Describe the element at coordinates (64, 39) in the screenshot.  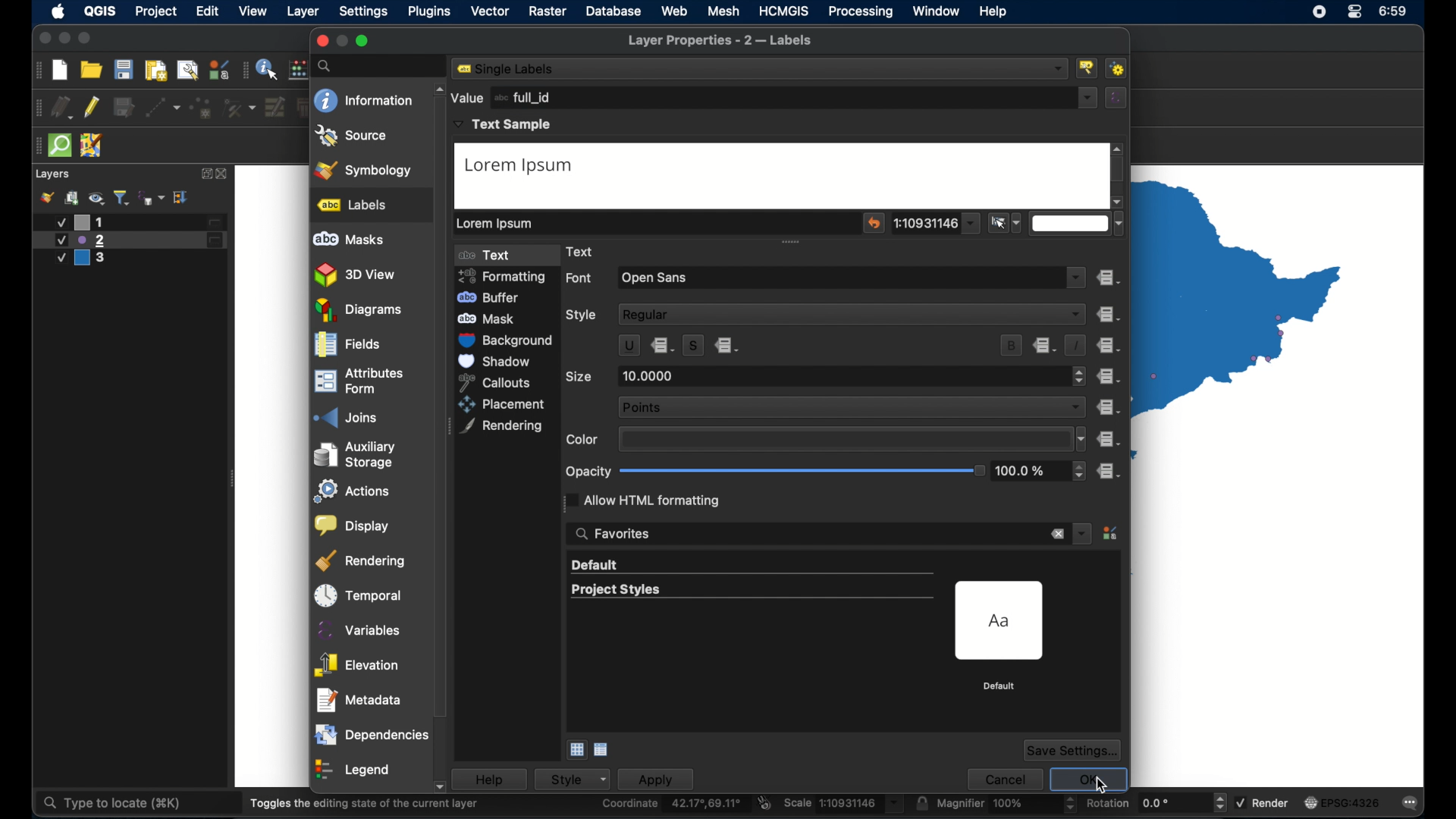
I see `minimize` at that location.